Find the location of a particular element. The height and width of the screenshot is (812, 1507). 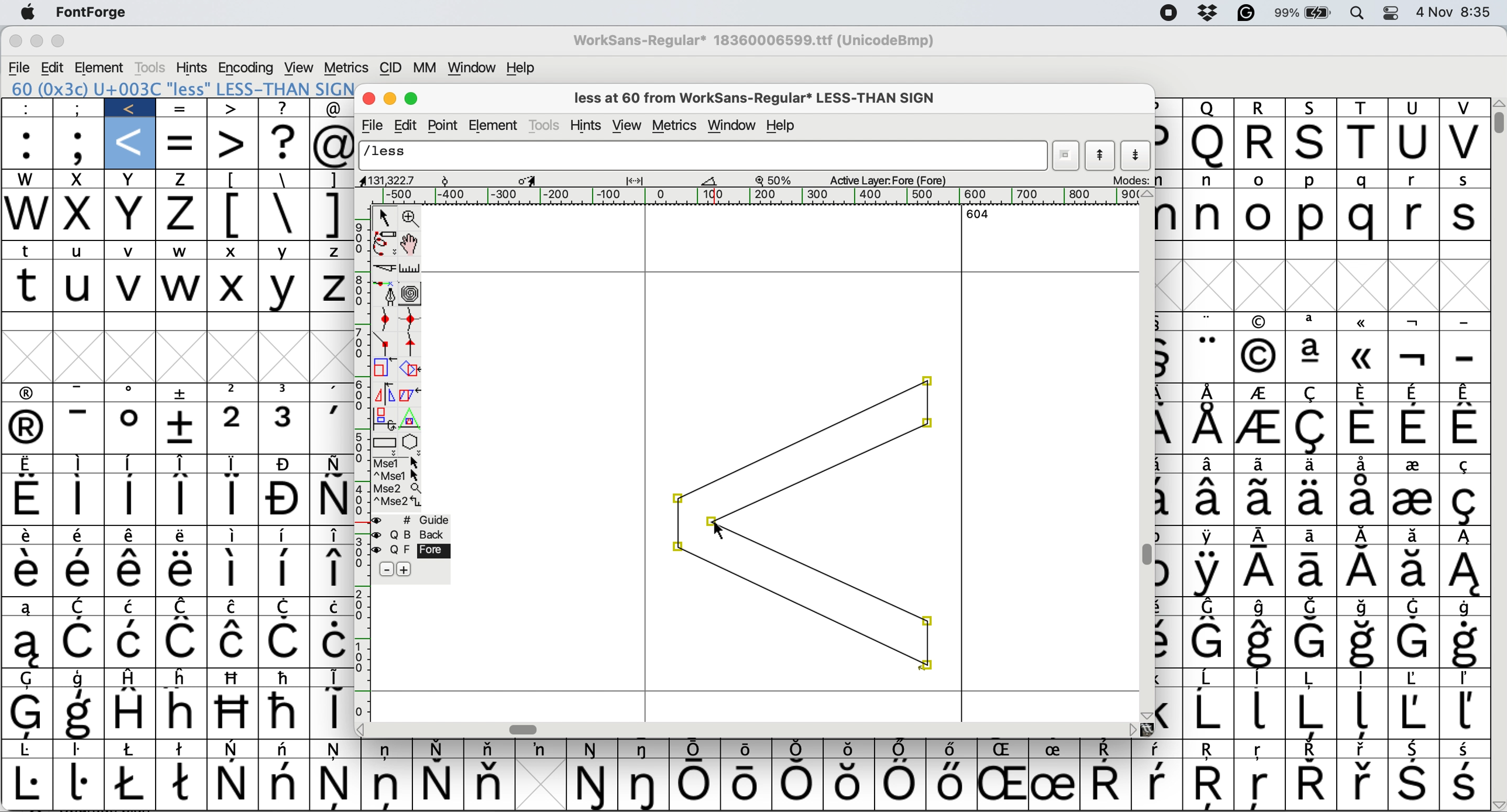

system logo is located at coordinates (29, 12).